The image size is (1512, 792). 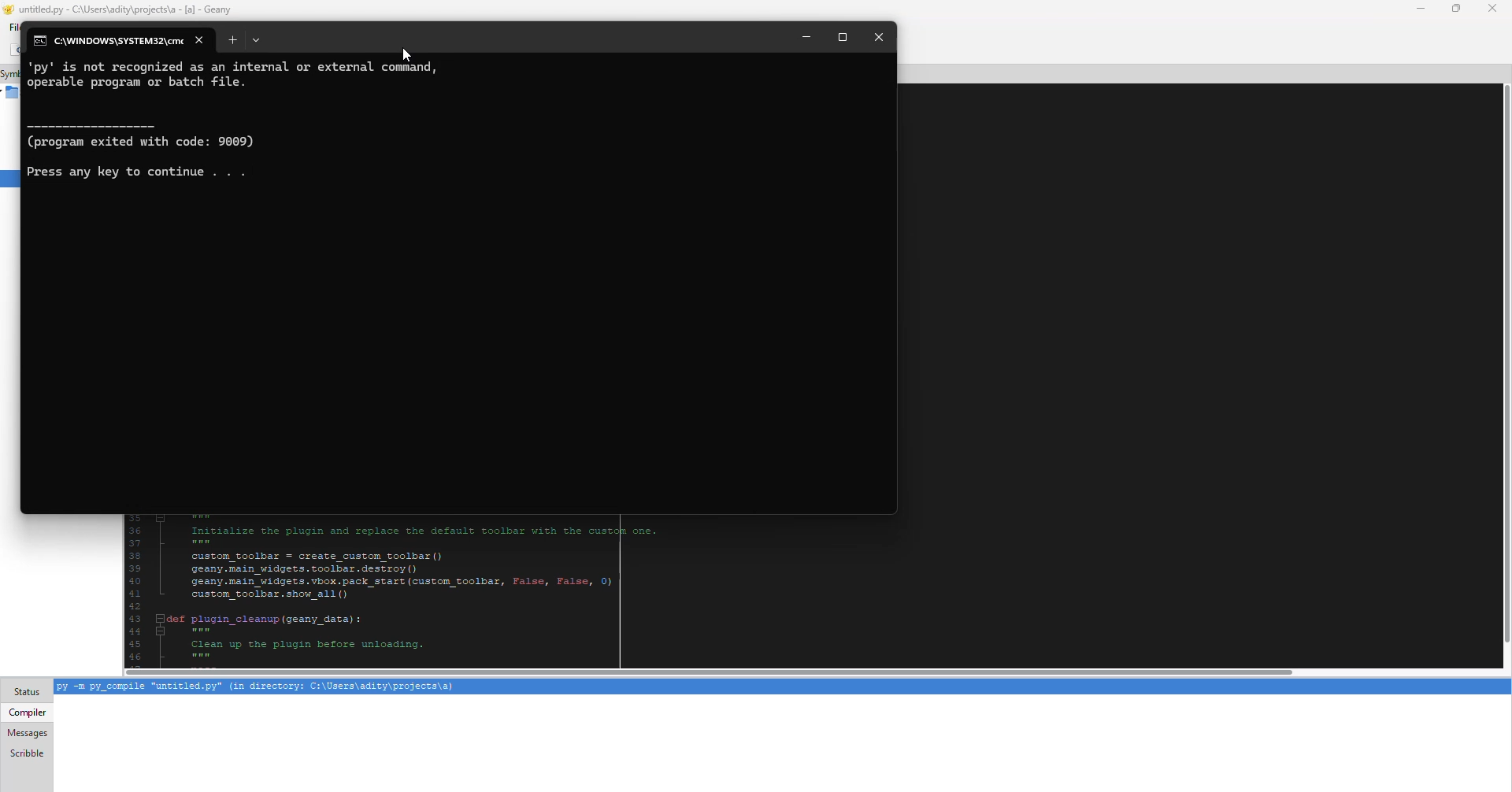 What do you see at coordinates (880, 38) in the screenshot?
I see `close` at bounding box center [880, 38].